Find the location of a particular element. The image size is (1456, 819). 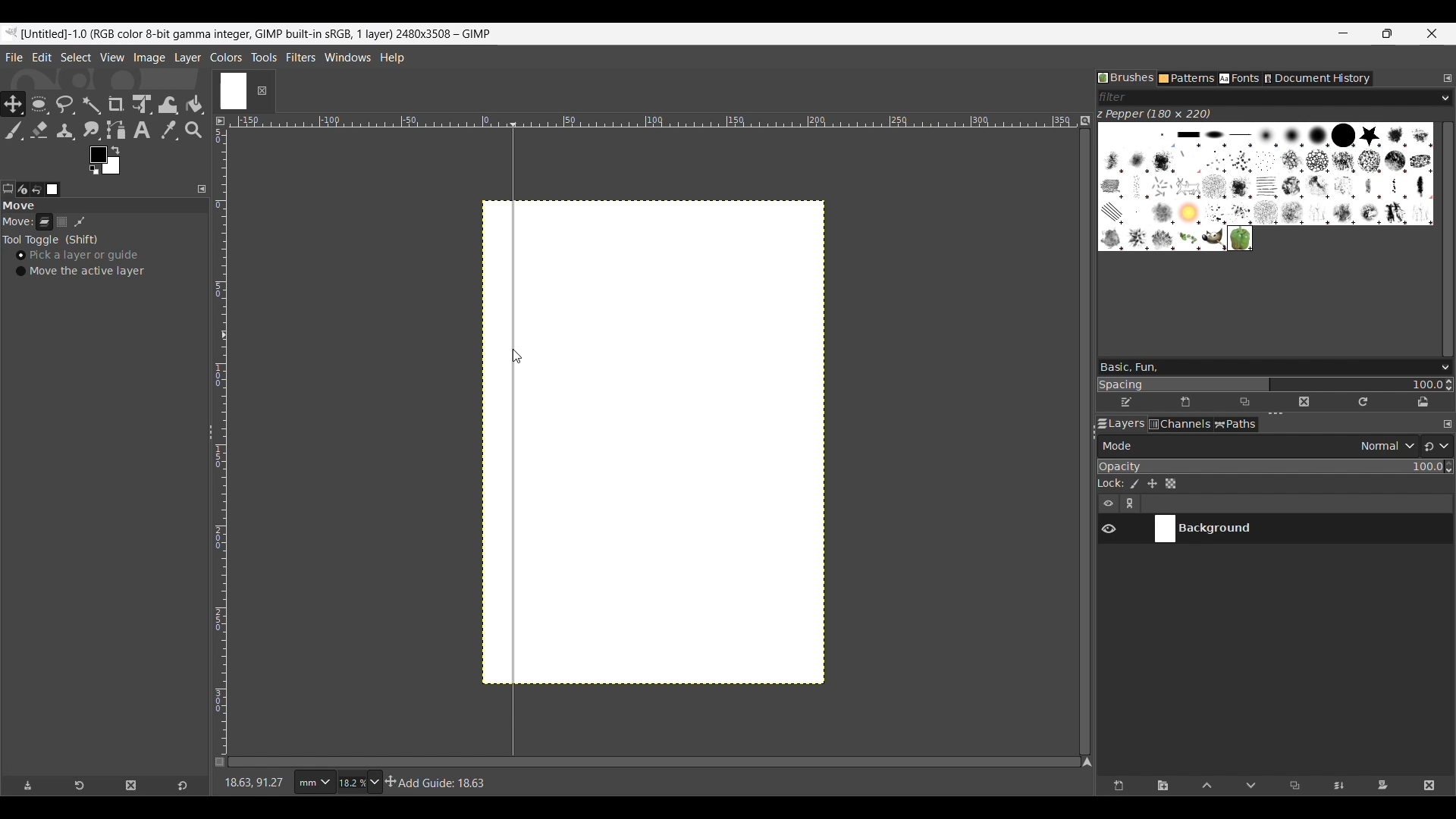

Duplicate selected layer is located at coordinates (1294, 786).